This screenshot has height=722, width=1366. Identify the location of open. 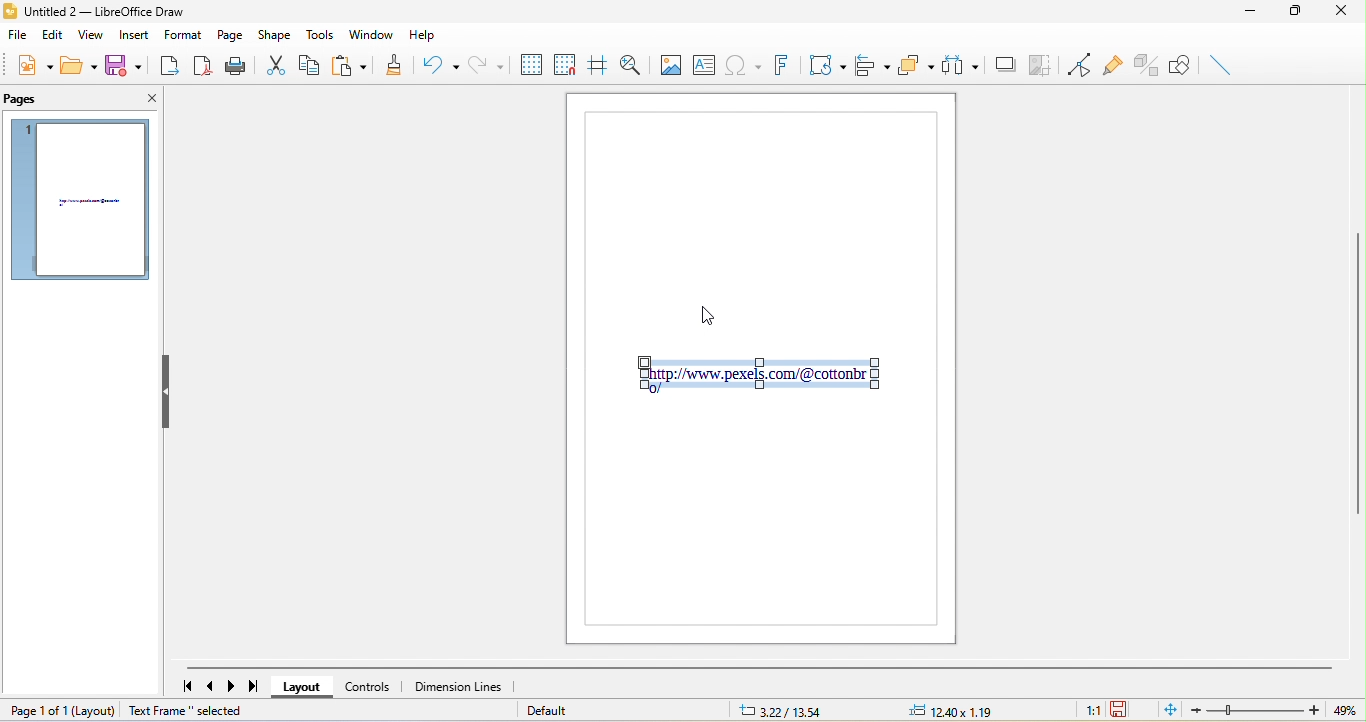
(77, 69).